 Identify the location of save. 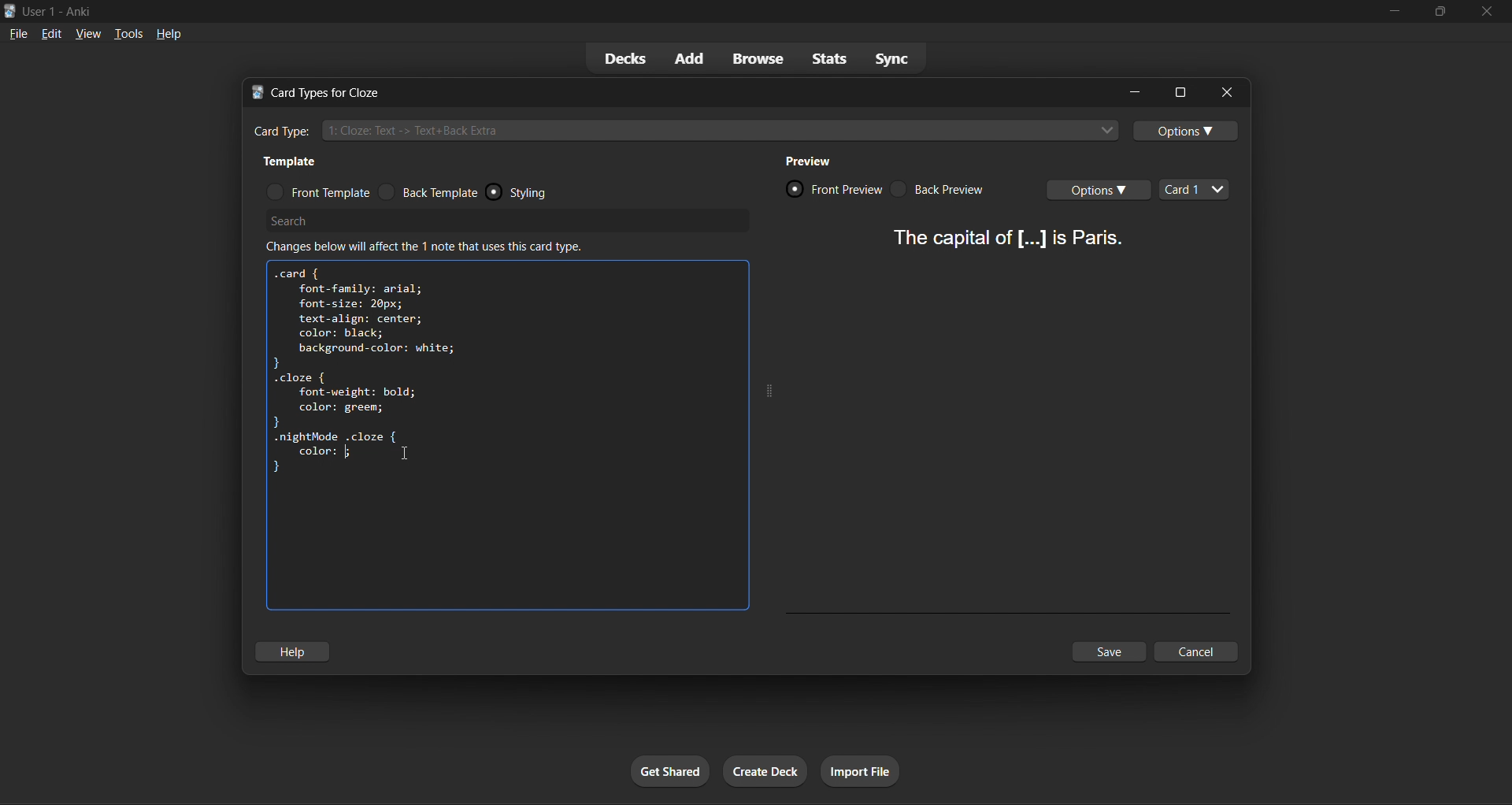
(1112, 653).